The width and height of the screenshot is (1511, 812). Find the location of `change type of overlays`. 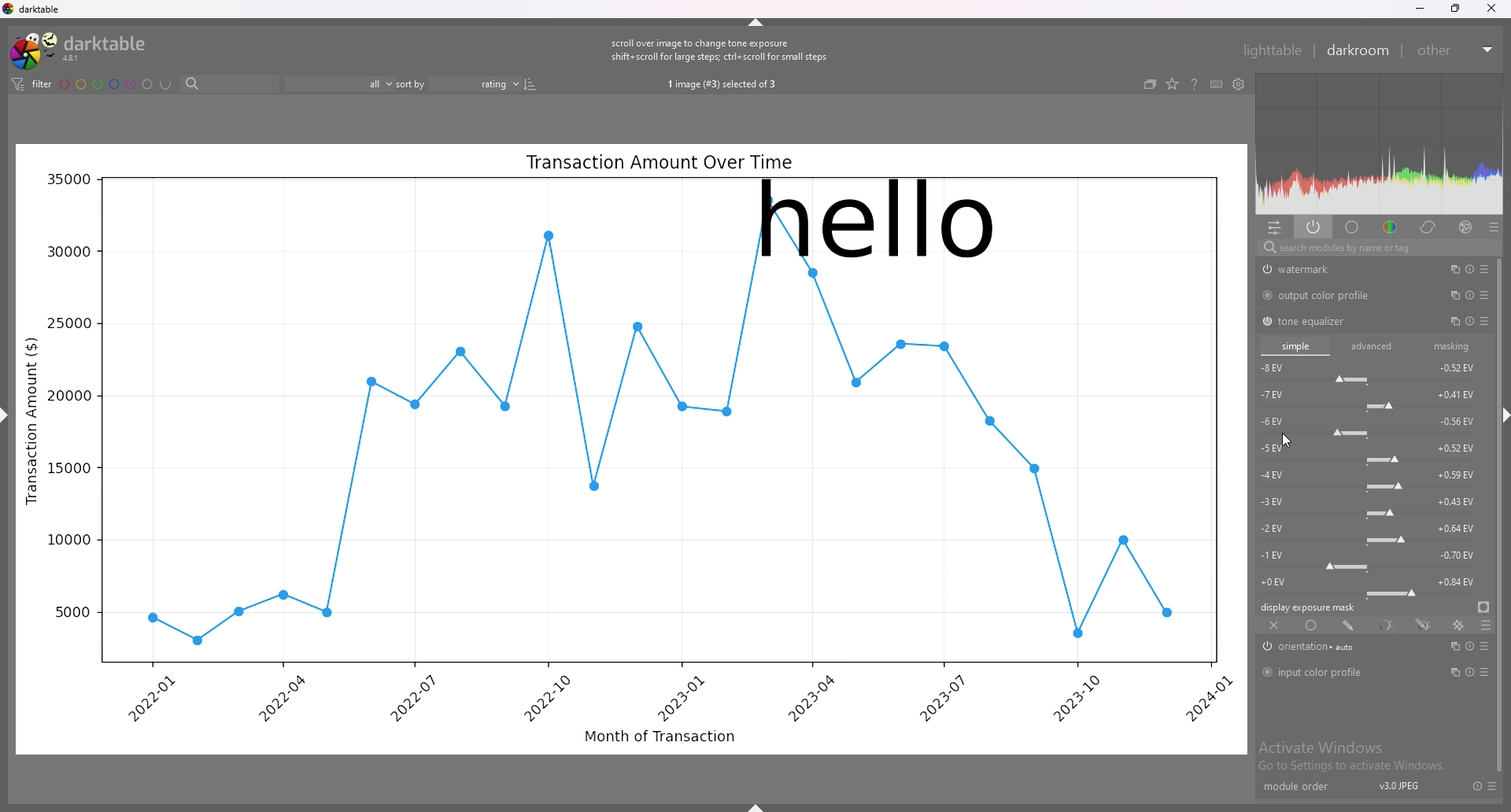

change type of overlays is located at coordinates (1173, 83).